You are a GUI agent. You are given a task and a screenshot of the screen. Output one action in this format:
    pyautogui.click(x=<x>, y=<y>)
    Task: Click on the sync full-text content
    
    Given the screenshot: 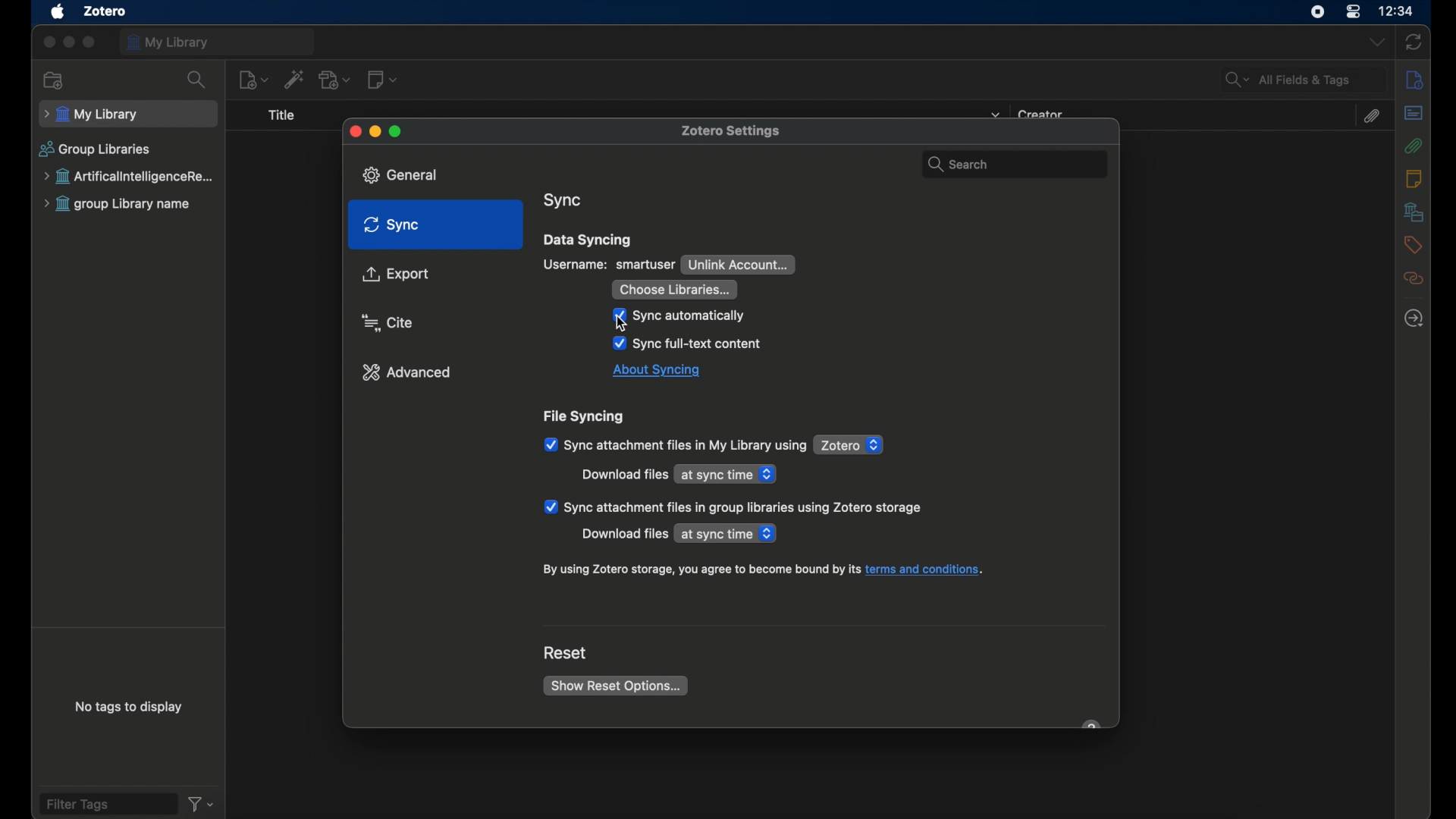 What is the action you would take?
    pyautogui.click(x=688, y=344)
    